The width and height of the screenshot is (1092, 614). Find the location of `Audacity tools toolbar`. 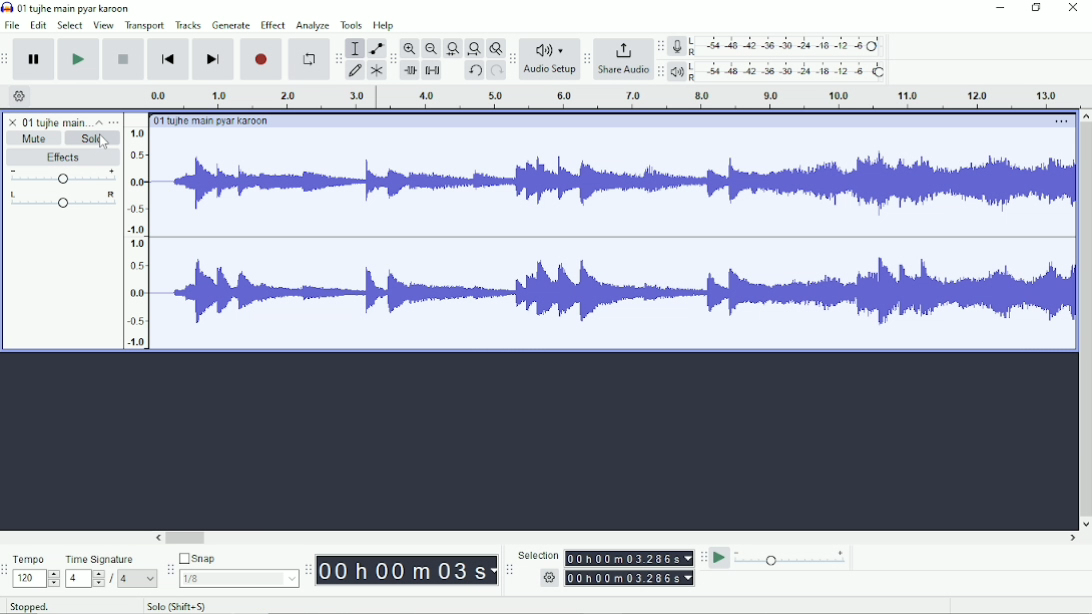

Audacity tools toolbar is located at coordinates (339, 58).